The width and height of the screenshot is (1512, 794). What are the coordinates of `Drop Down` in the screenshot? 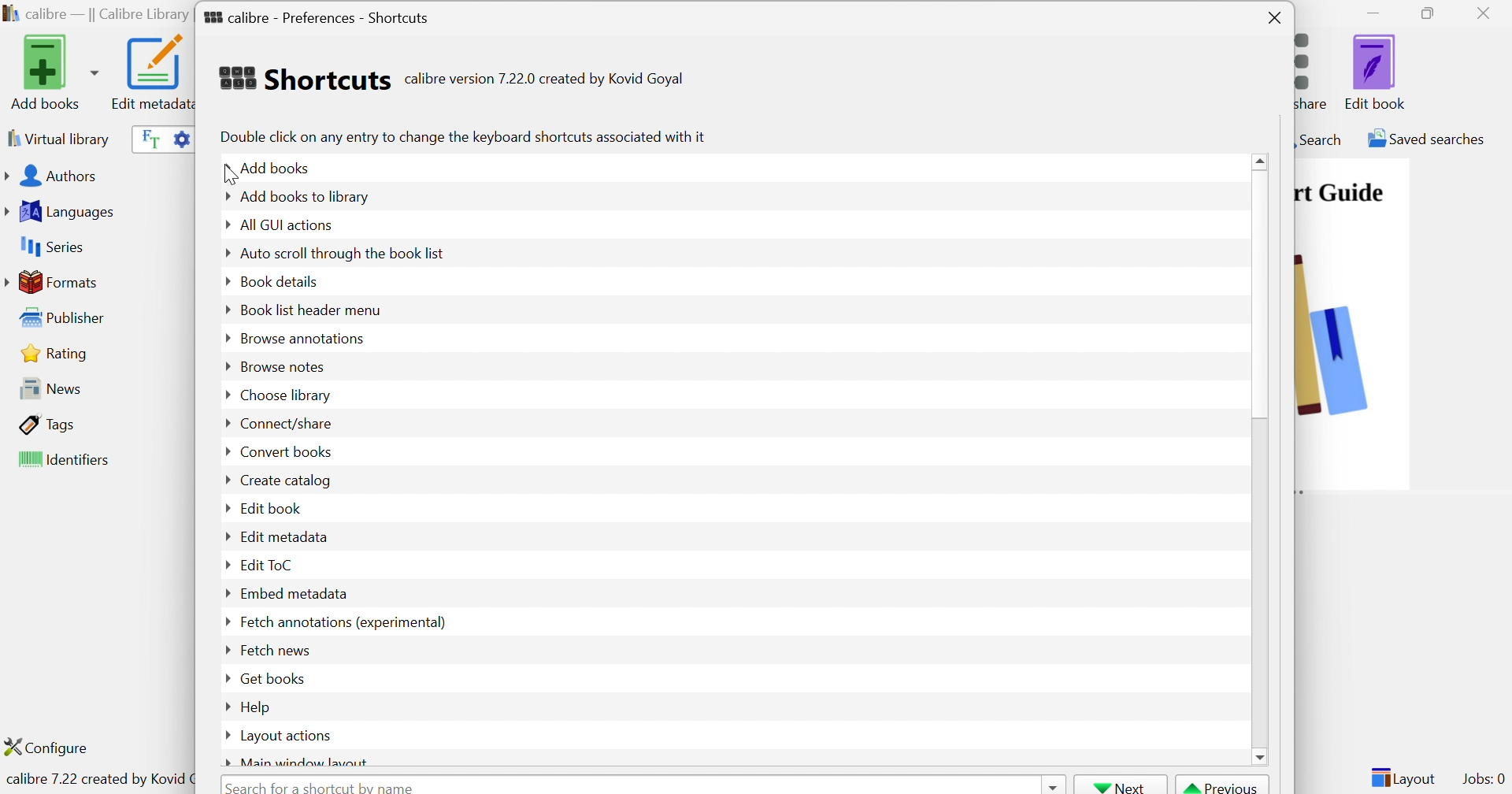 It's located at (224, 510).